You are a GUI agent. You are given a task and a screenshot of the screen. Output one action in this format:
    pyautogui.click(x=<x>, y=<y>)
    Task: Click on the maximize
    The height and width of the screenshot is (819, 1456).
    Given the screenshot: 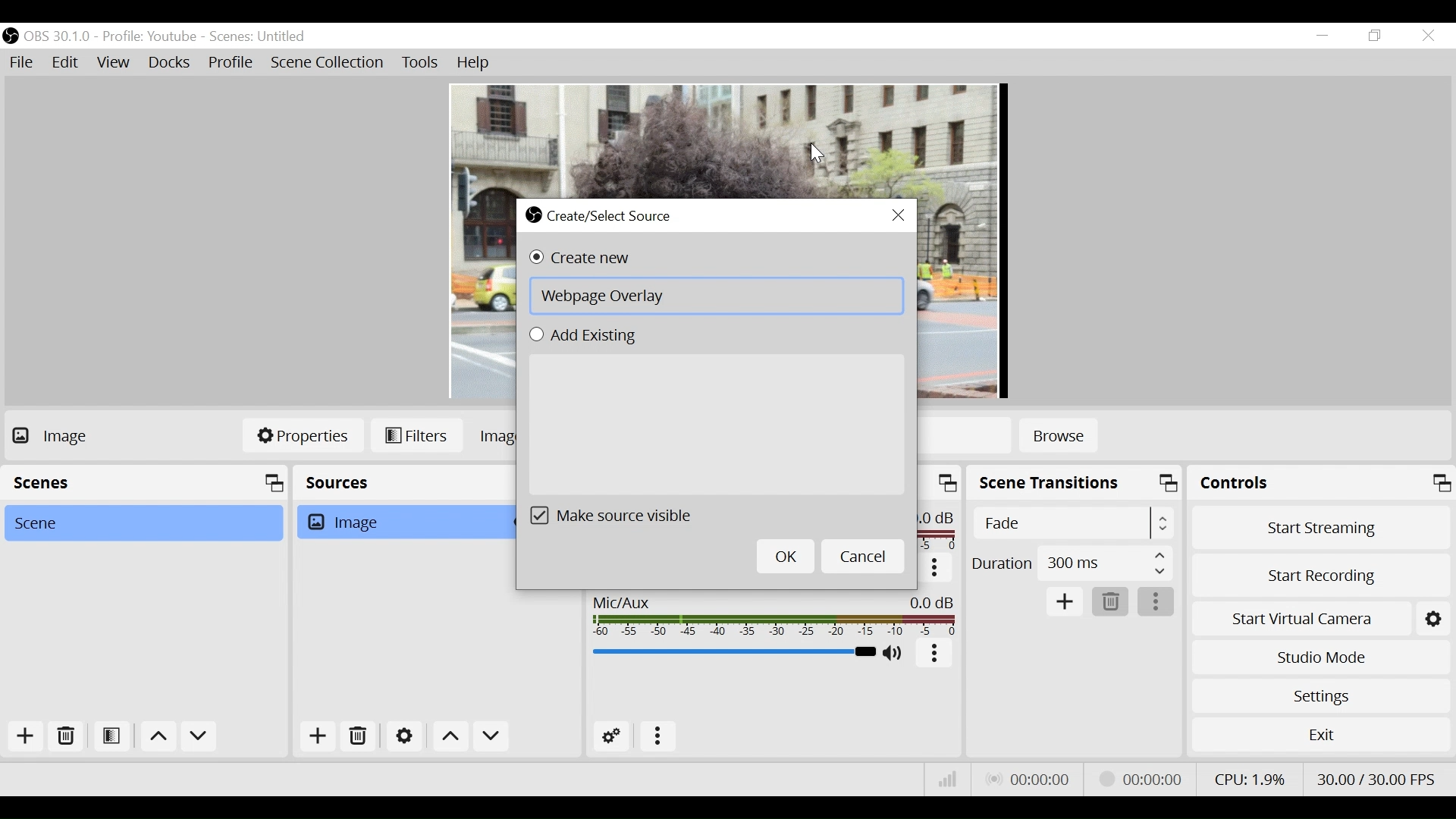 What is the action you would take?
    pyautogui.click(x=946, y=482)
    